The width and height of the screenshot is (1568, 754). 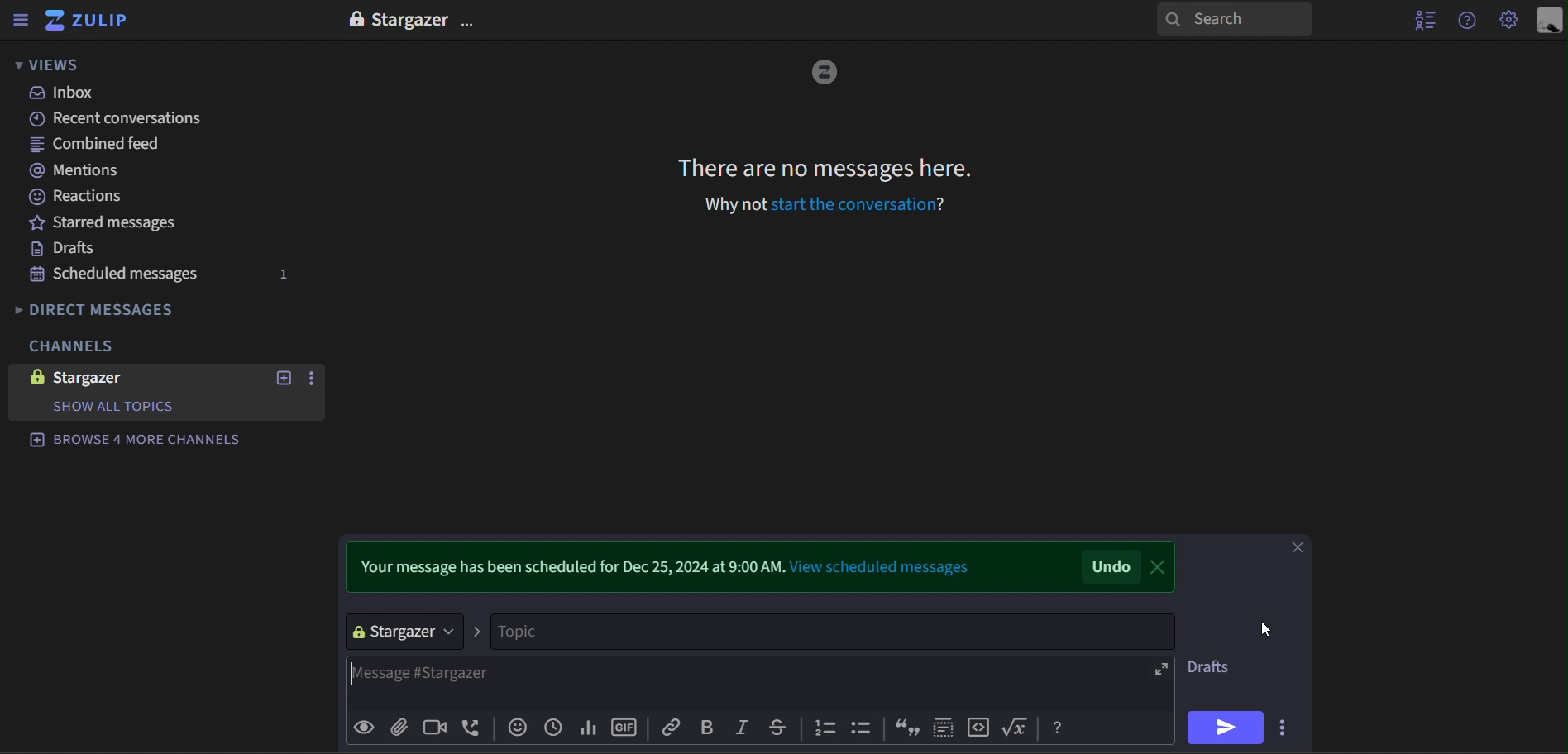 I want to click on View scheduled messages, so click(x=882, y=564).